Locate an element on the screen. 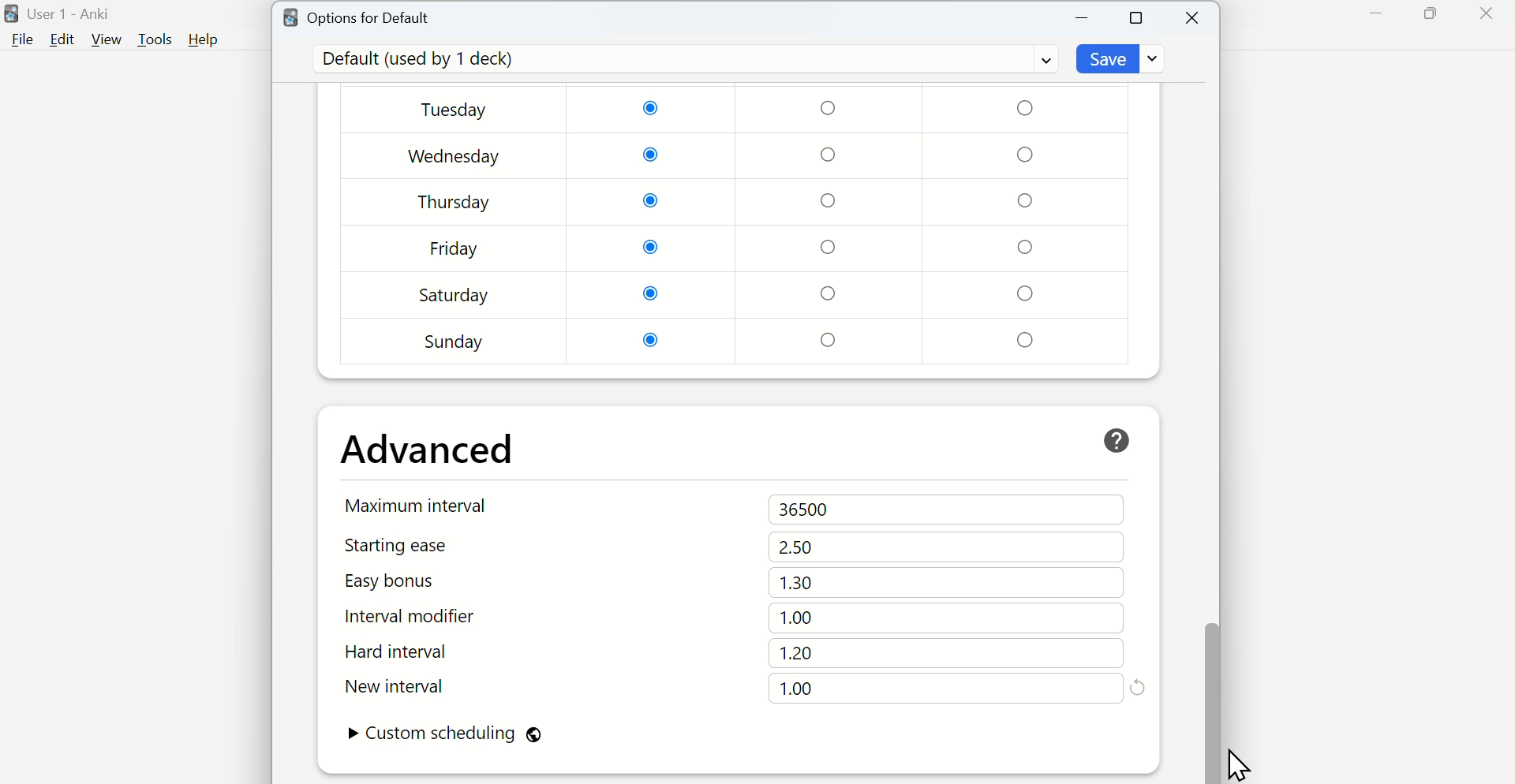 This screenshot has height=784, width=1515. Edit is located at coordinates (62, 39).